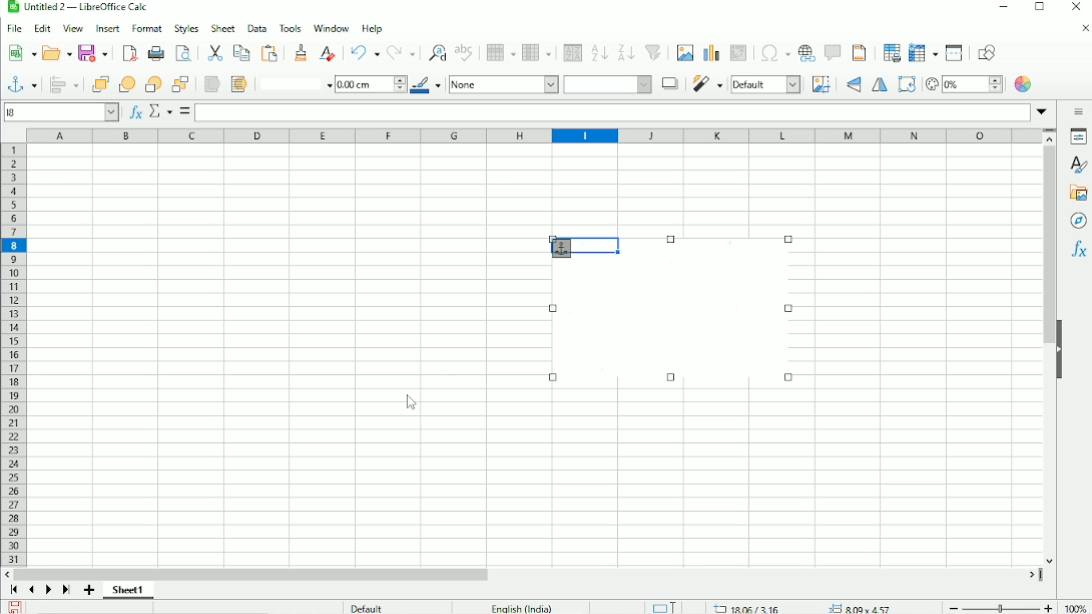 The height and width of the screenshot is (614, 1092). What do you see at coordinates (671, 314) in the screenshot?
I see `image inserted` at bounding box center [671, 314].